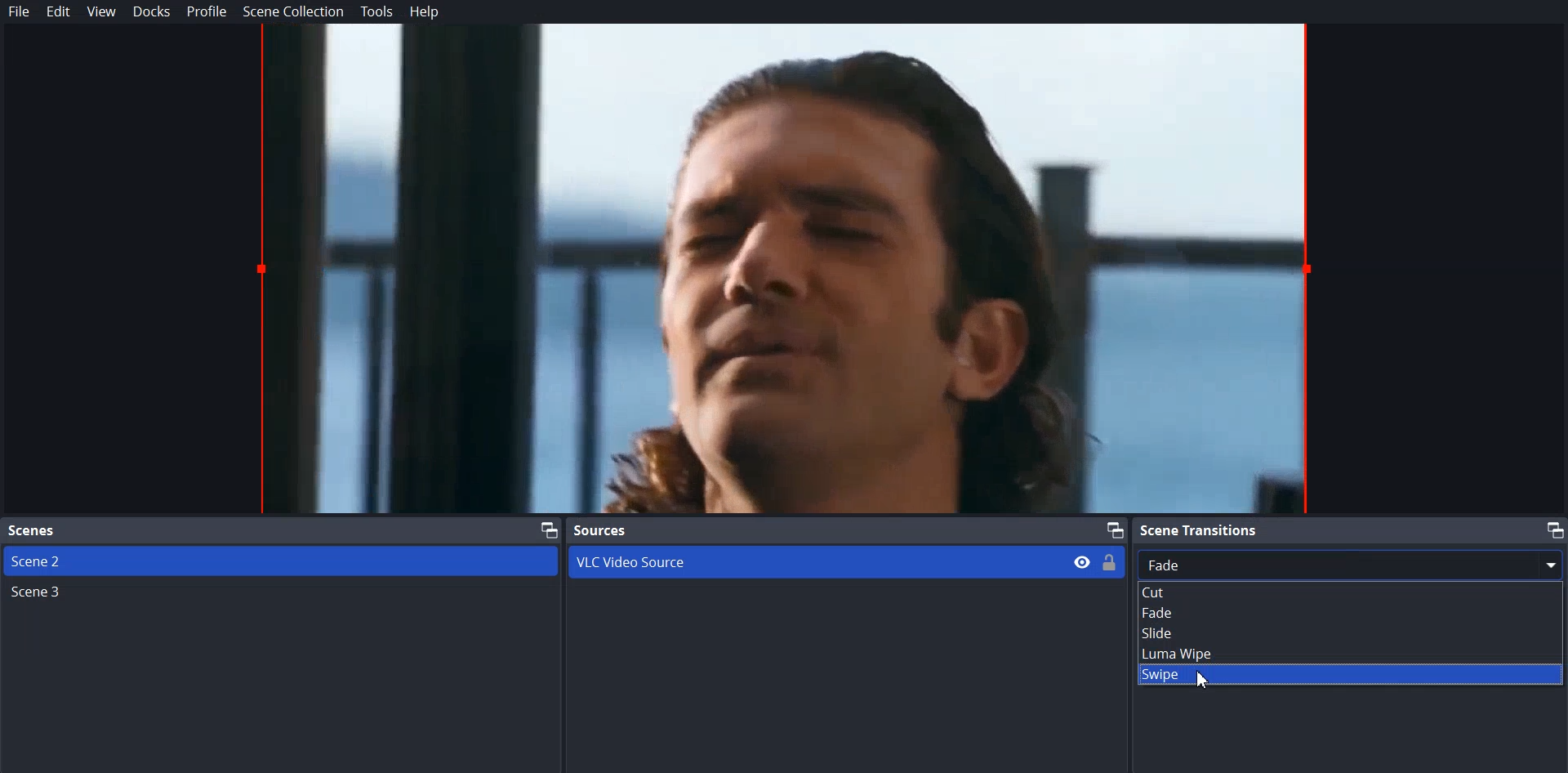  Describe the element at coordinates (151, 12) in the screenshot. I see `Docks` at that location.